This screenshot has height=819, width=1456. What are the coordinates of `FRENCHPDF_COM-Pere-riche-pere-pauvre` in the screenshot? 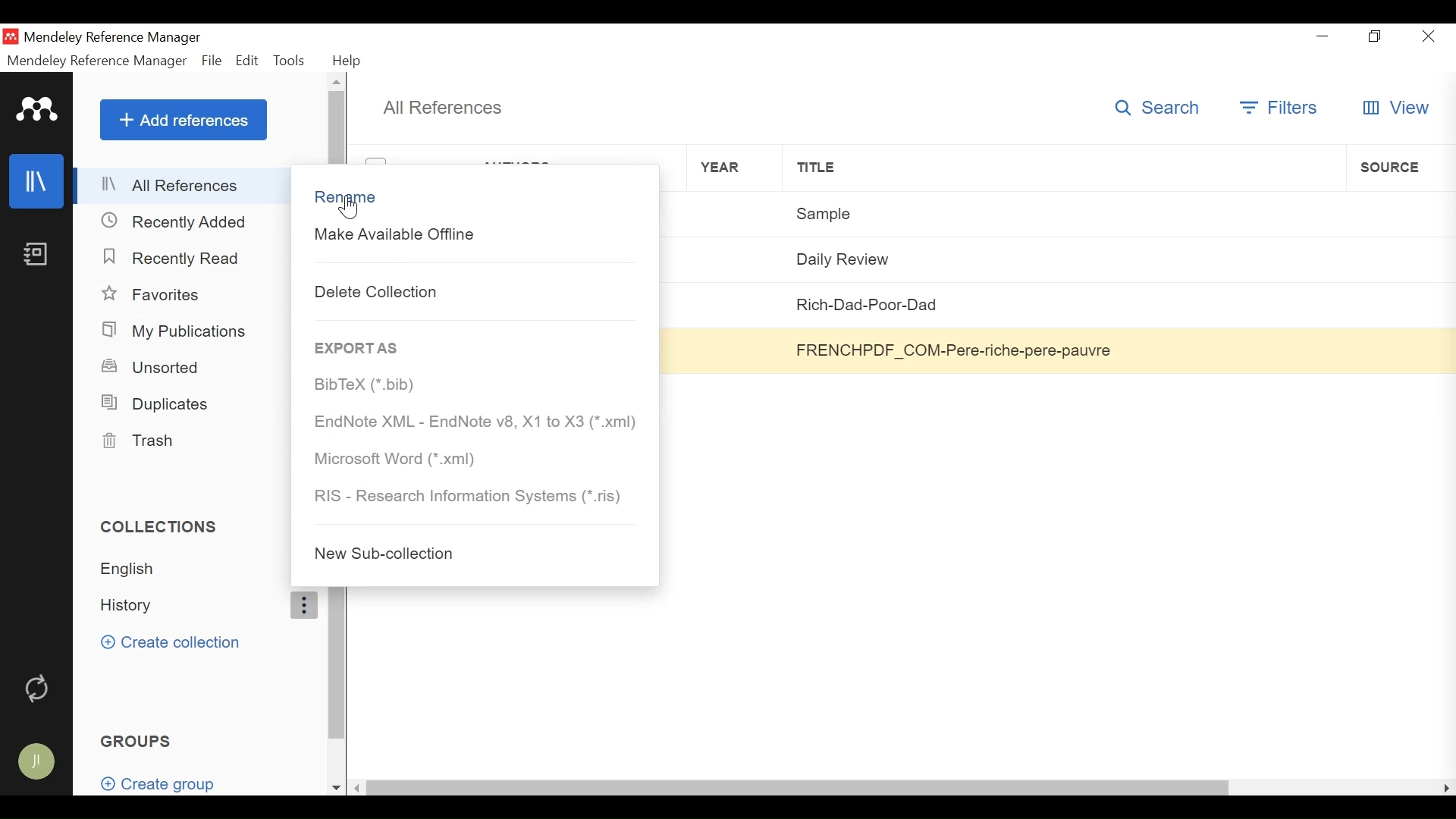 It's located at (1062, 350).